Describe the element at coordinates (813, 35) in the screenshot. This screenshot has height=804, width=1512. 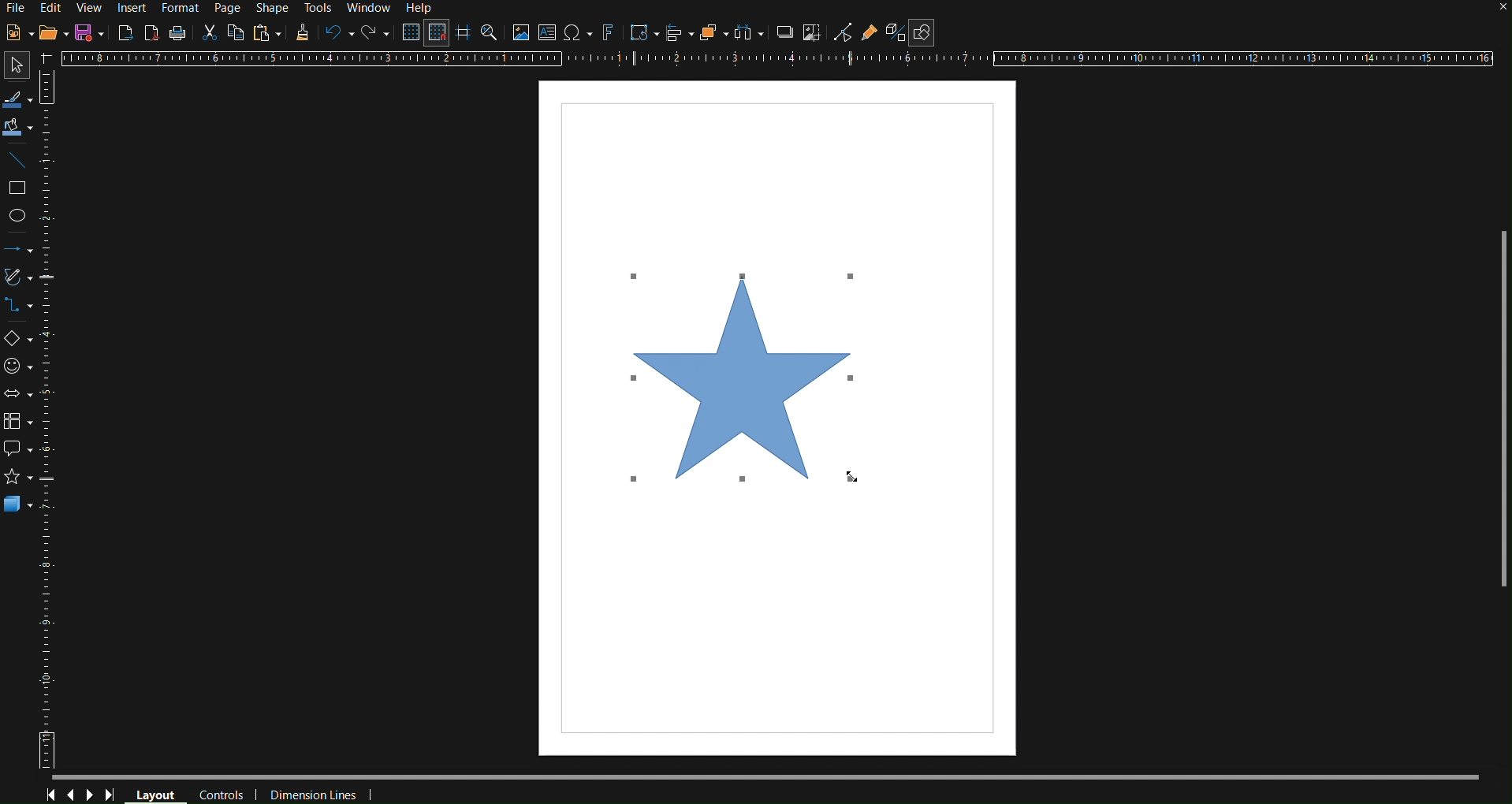
I see `Crop Image` at that location.